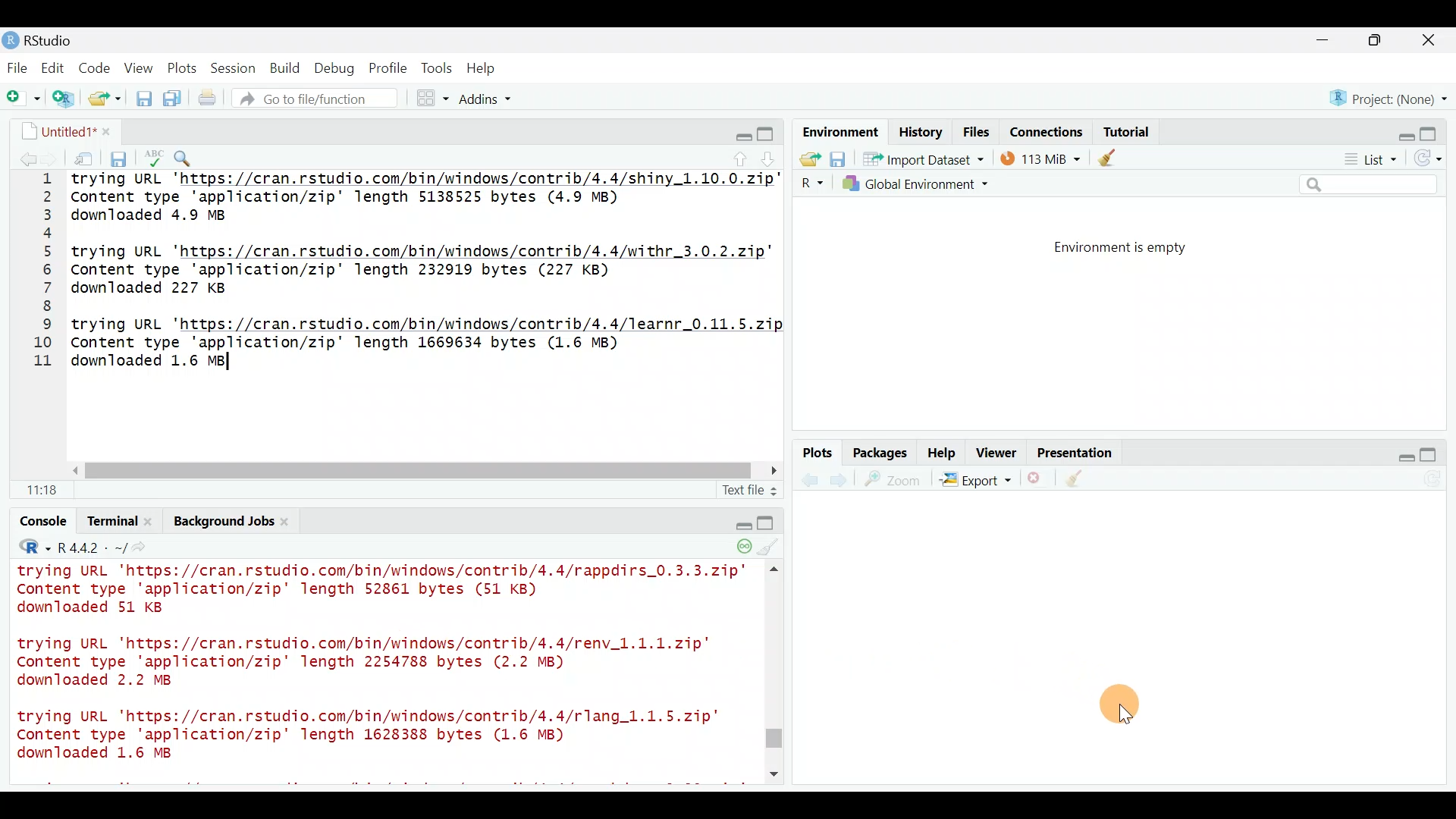 The height and width of the screenshot is (819, 1456). Describe the element at coordinates (402, 324) in the screenshot. I see `9 trying URL 'https://cran.rstudio.com/bin/windows/contrib/4.4/learnr_0.11.5. zi]` at that location.